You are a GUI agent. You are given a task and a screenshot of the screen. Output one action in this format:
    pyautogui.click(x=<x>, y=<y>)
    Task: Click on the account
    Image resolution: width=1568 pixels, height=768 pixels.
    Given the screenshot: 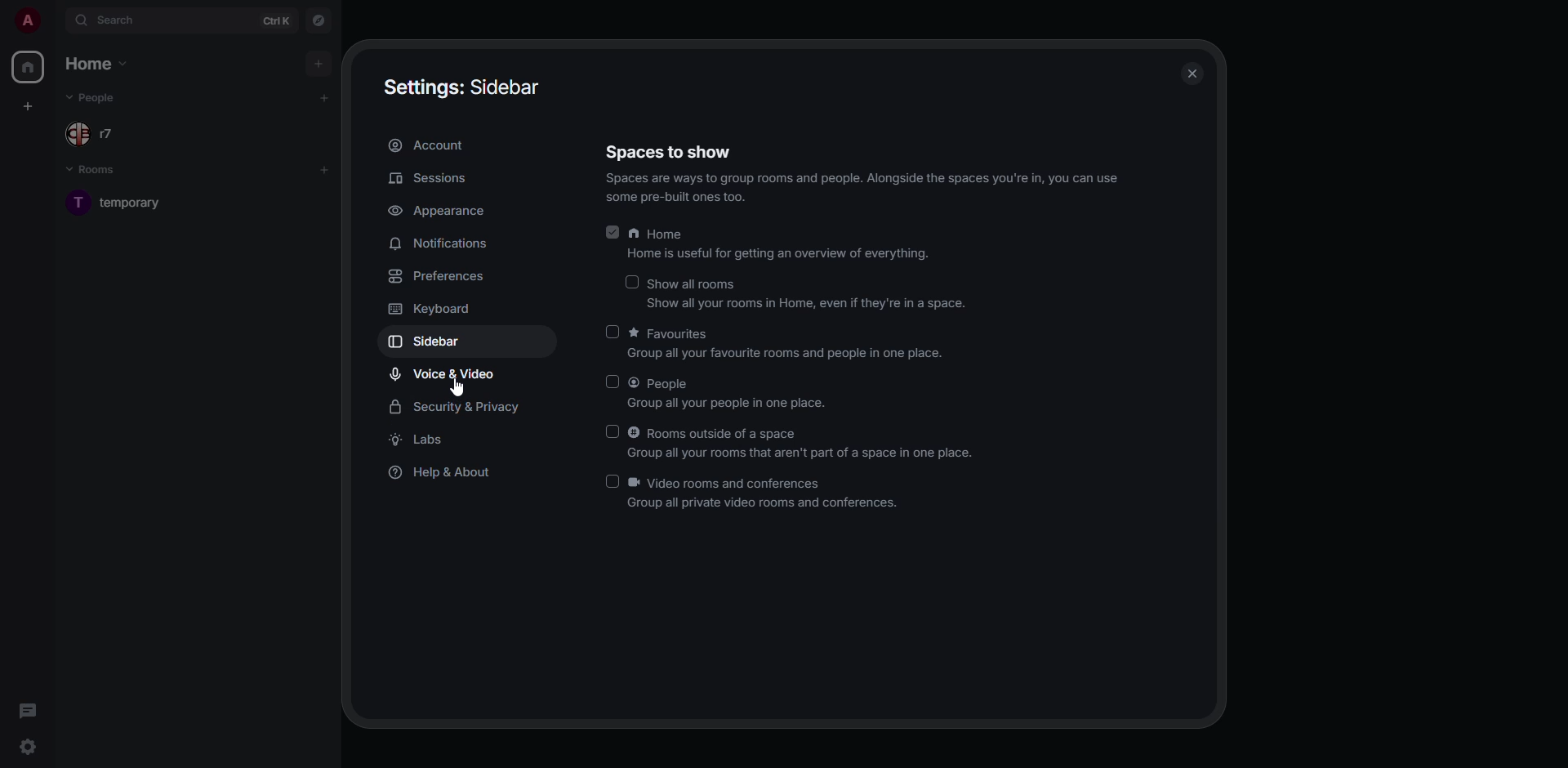 What is the action you would take?
    pyautogui.click(x=430, y=145)
    